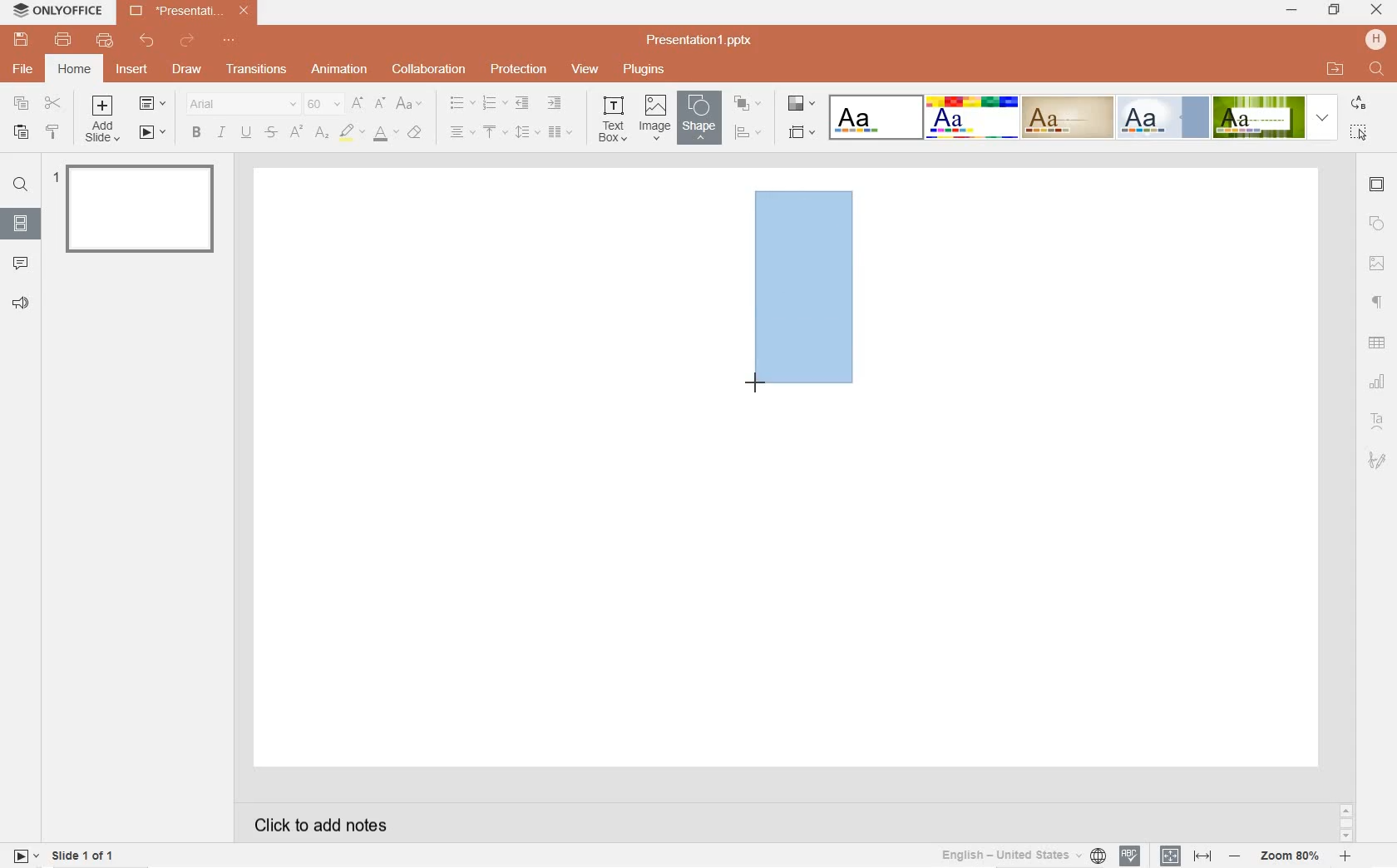 The width and height of the screenshot is (1397, 868). I want to click on redo, so click(188, 42).